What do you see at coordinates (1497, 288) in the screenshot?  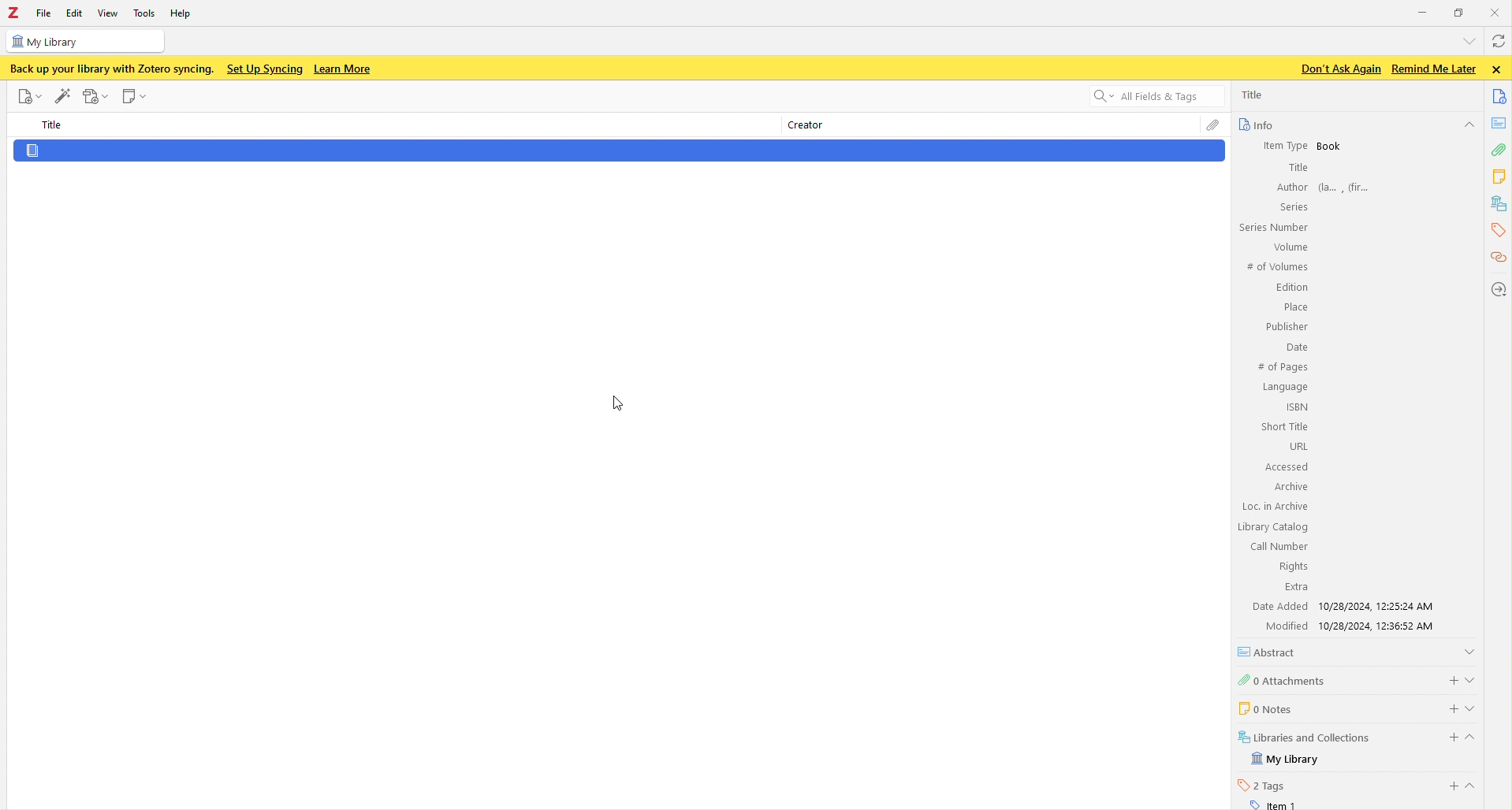 I see `location` at bounding box center [1497, 288].